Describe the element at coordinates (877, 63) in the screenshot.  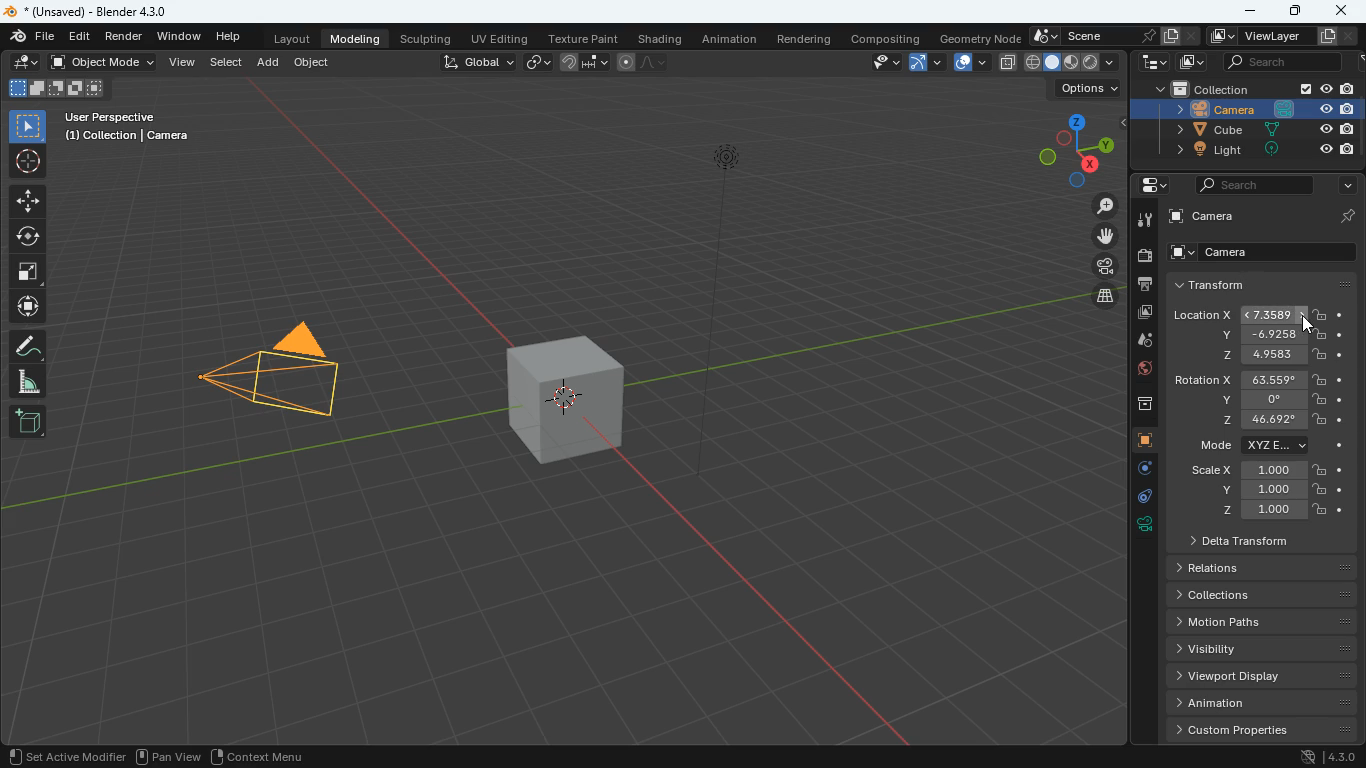
I see `view` at that location.